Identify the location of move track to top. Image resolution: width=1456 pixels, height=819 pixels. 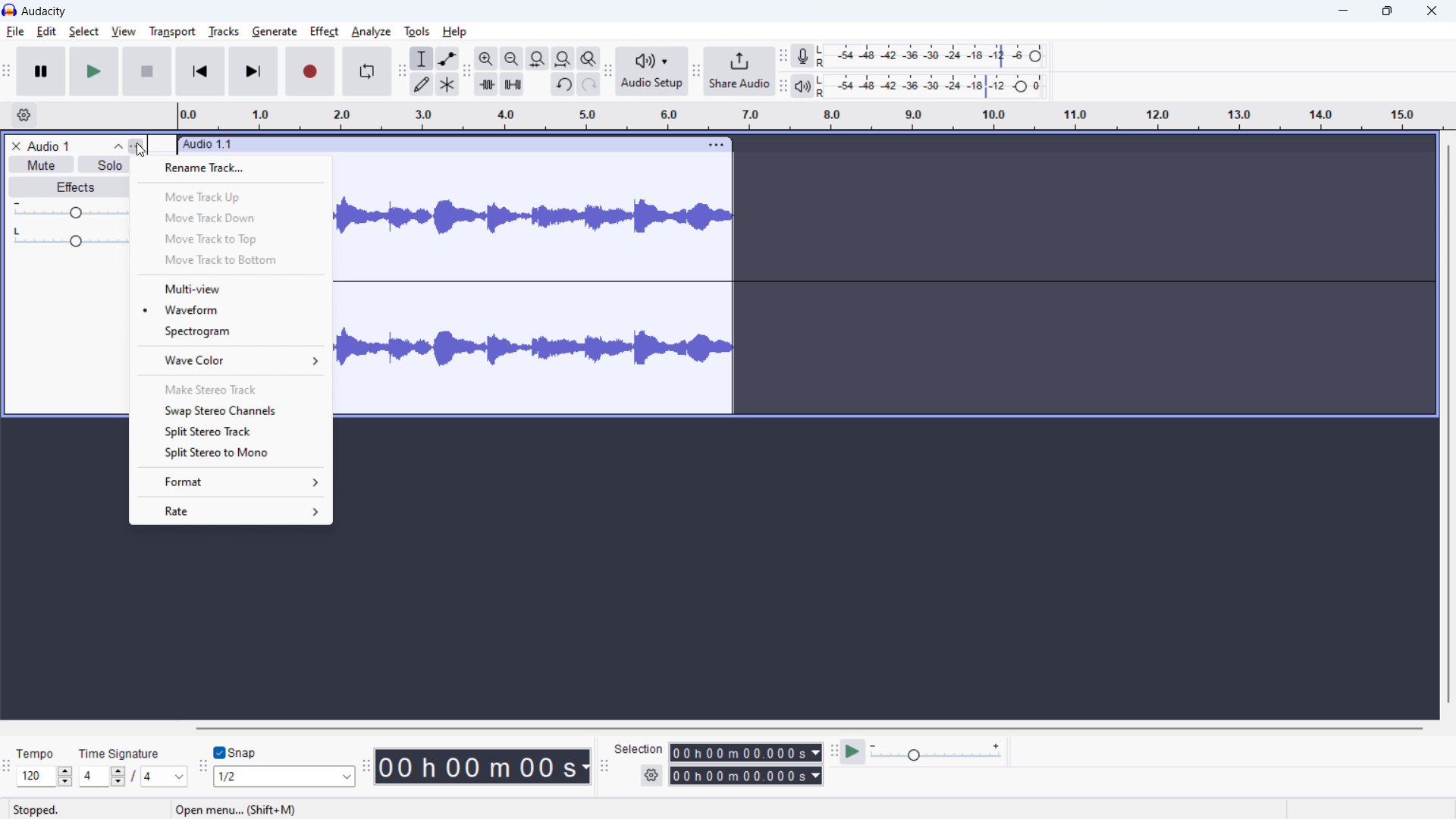
(232, 239).